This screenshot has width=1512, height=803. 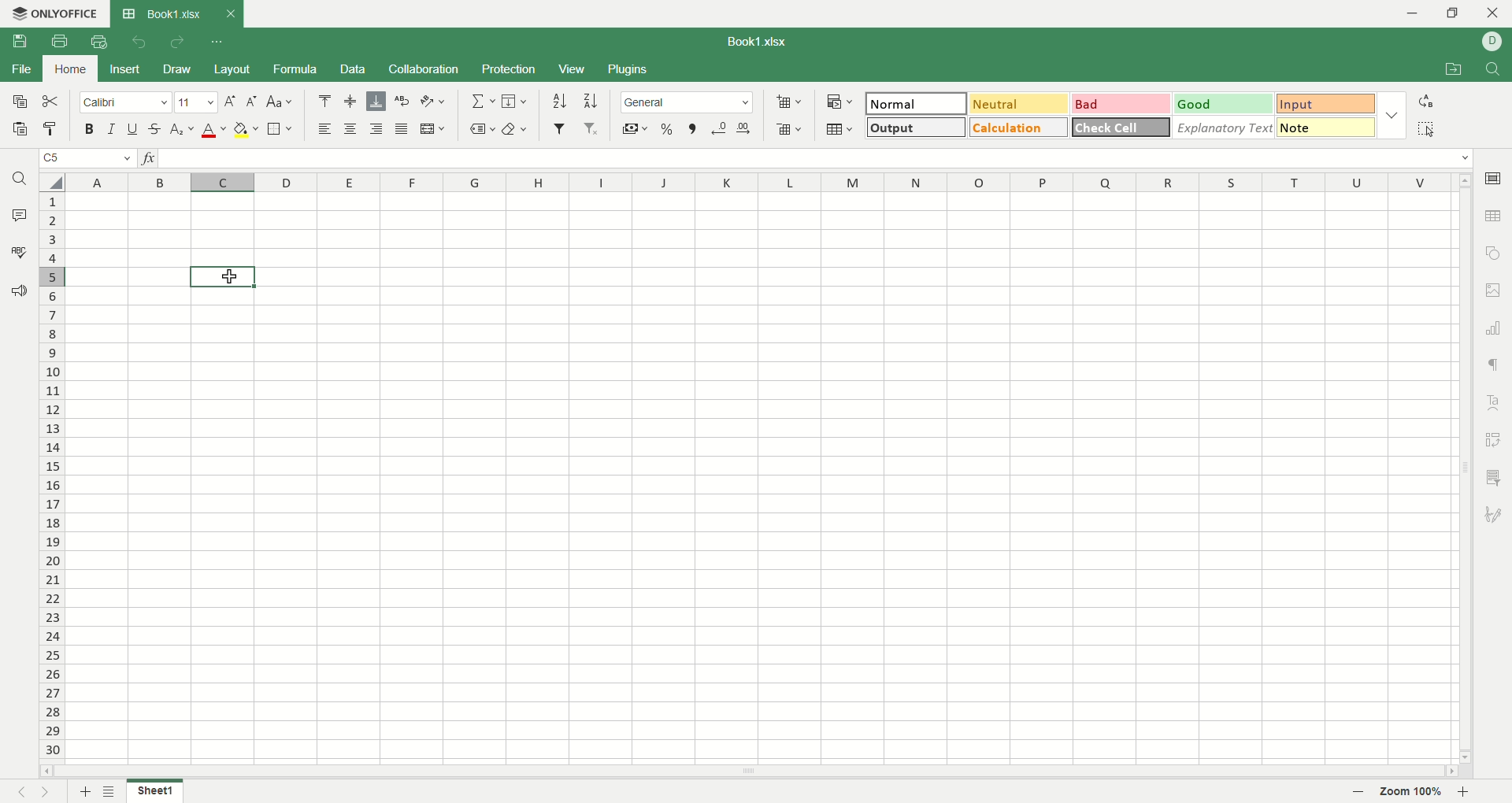 What do you see at coordinates (592, 130) in the screenshot?
I see `remove filter` at bounding box center [592, 130].